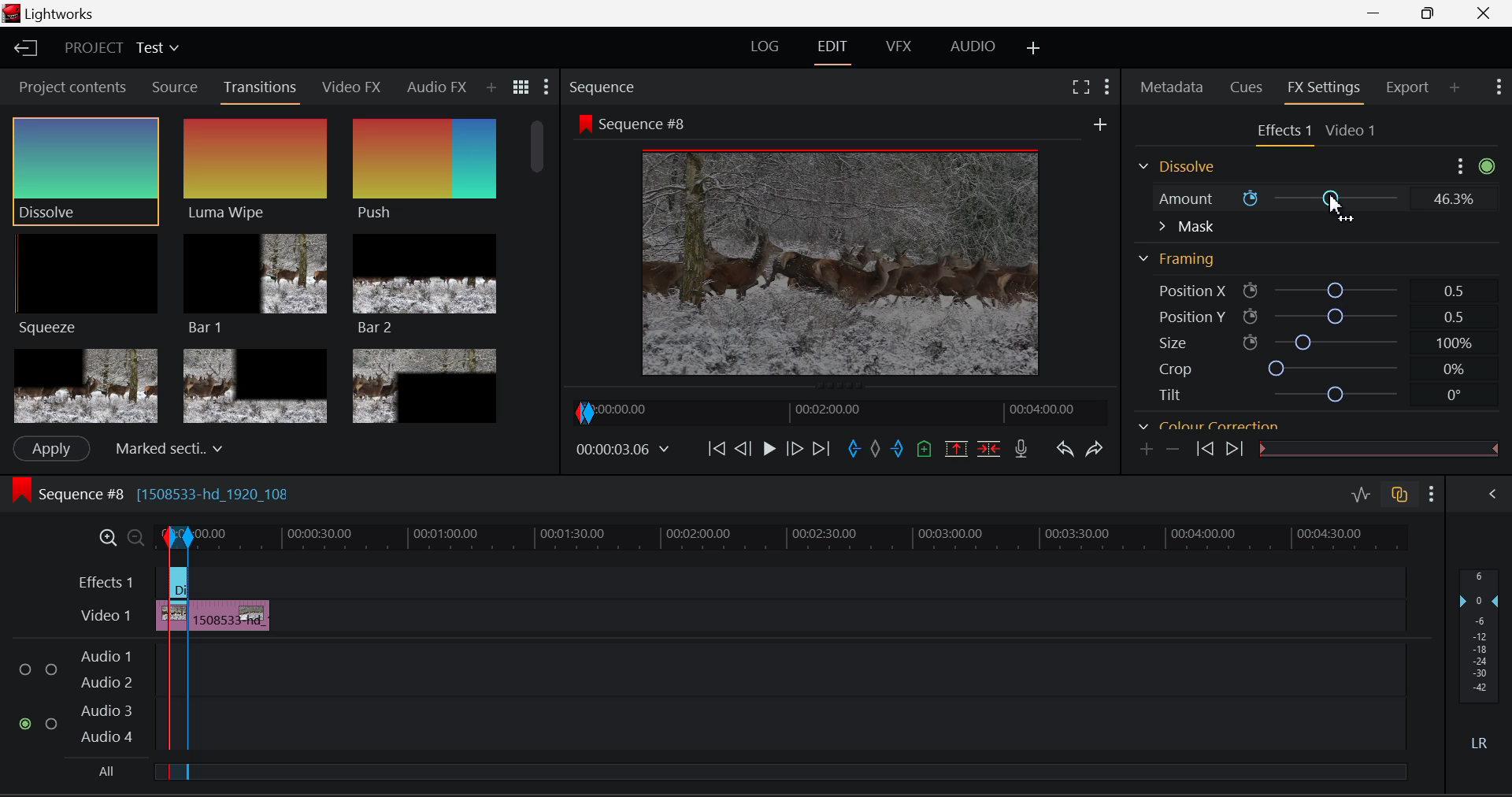  I want to click on Next keyframe, so click(1232, 449).